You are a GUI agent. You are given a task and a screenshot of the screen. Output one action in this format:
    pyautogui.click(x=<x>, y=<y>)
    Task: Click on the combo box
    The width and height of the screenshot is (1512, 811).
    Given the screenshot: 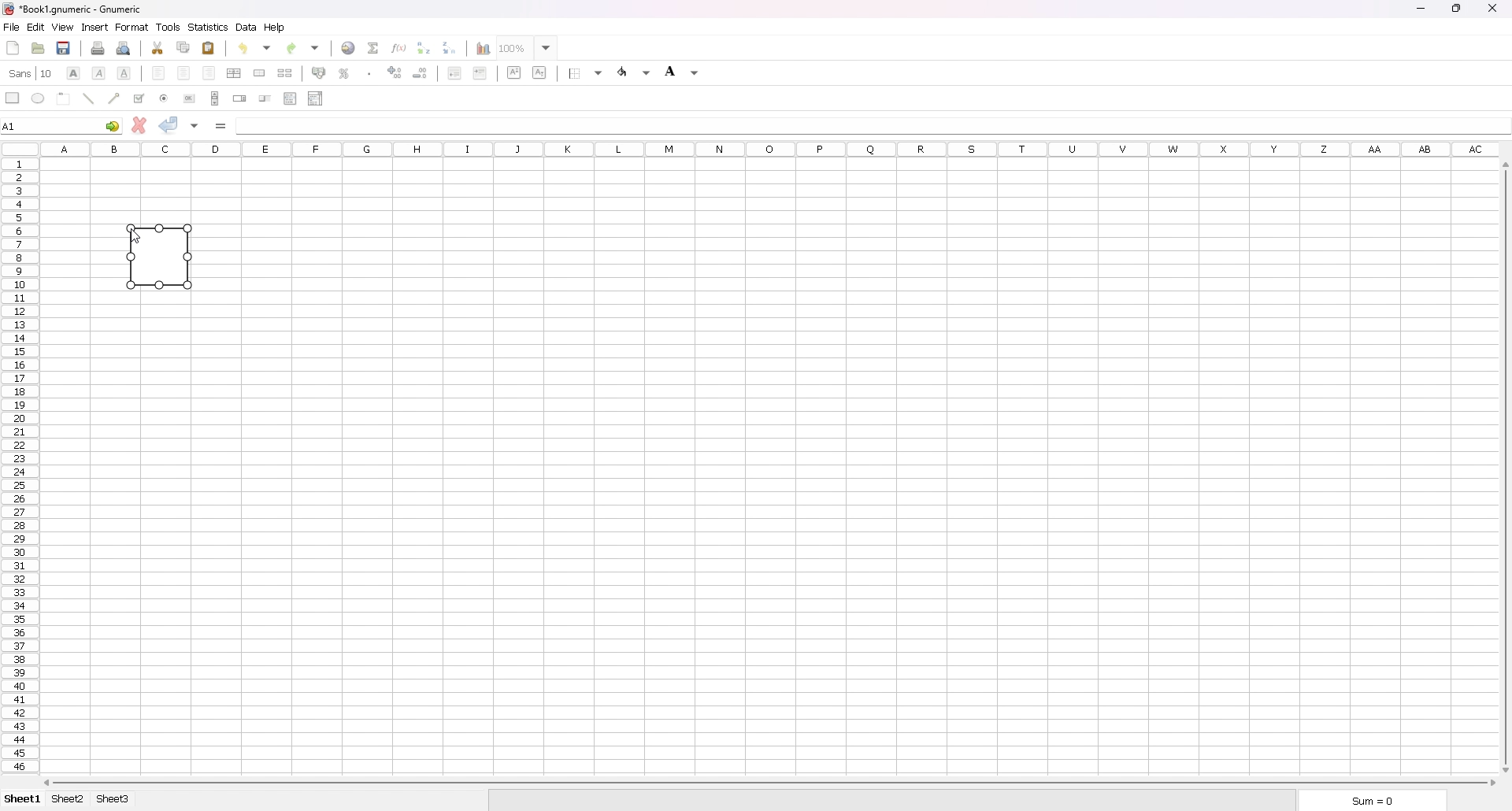 What is the action you would take?
    pyautogui.click(x=316, y=98)
    